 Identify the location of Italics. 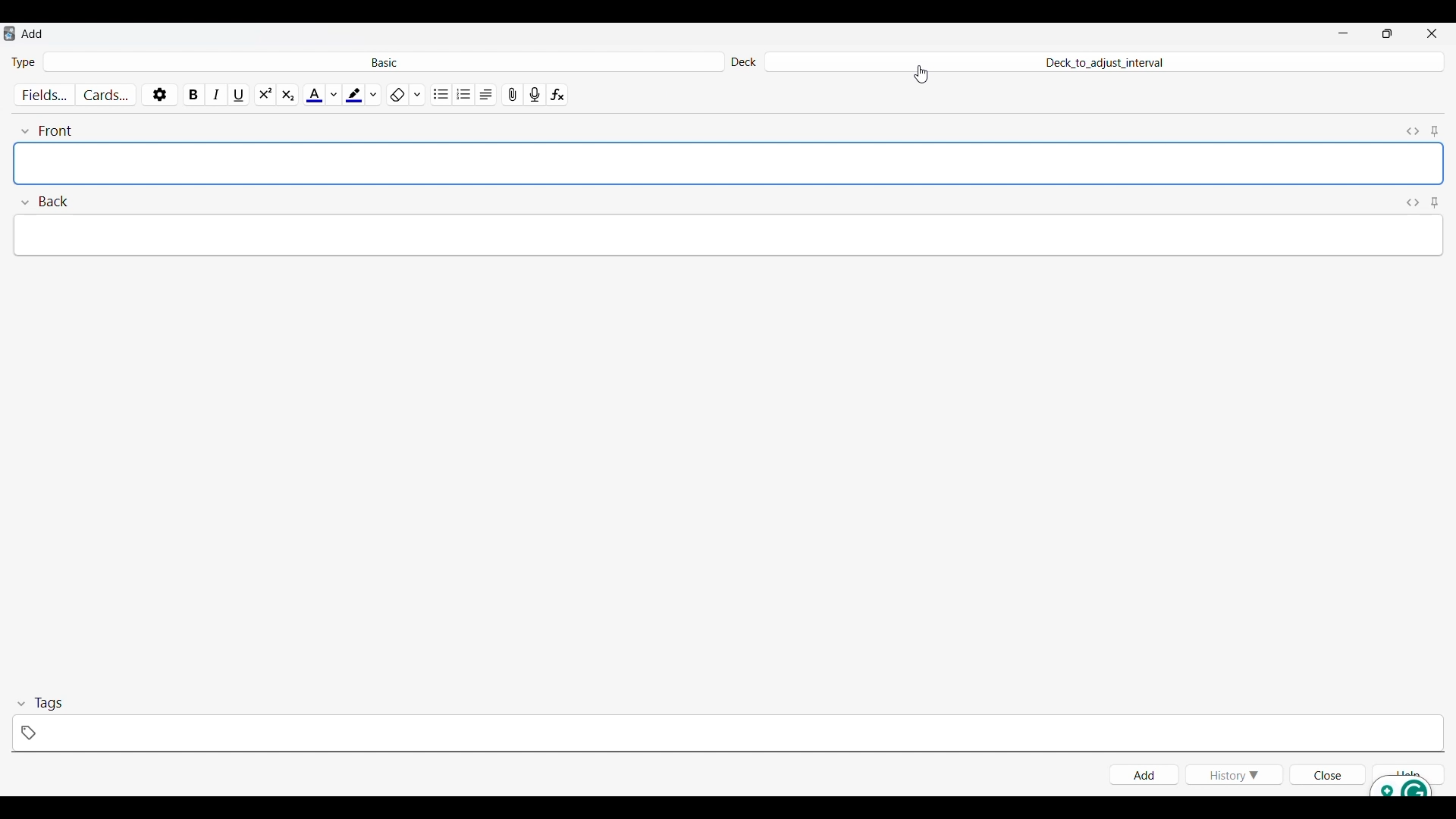
(217, 95).